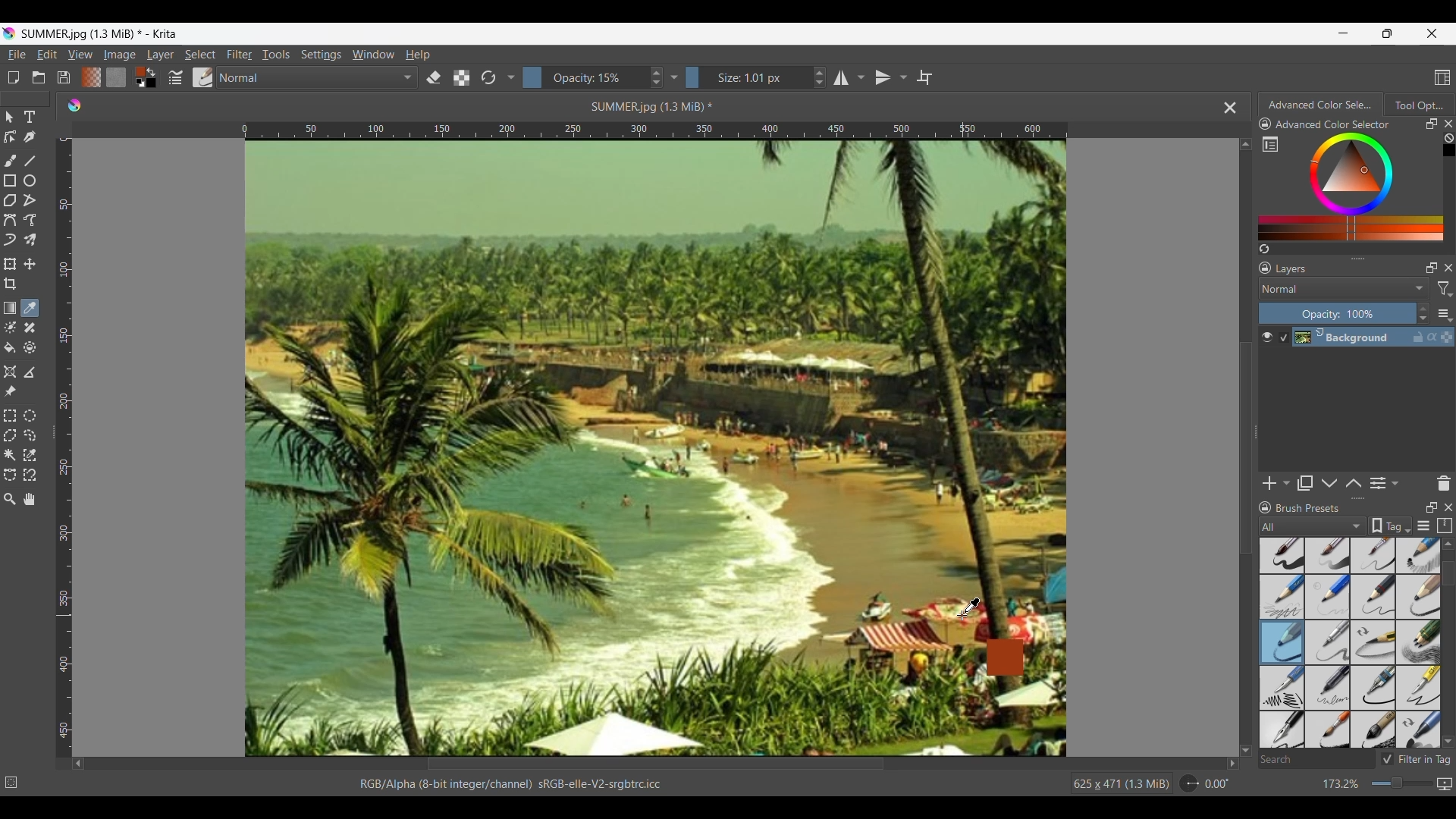 This screenshot has height=819, width=1456. Describe the element at coordinates (74, 105) in the screenshot. I see `Software logo` at that location.